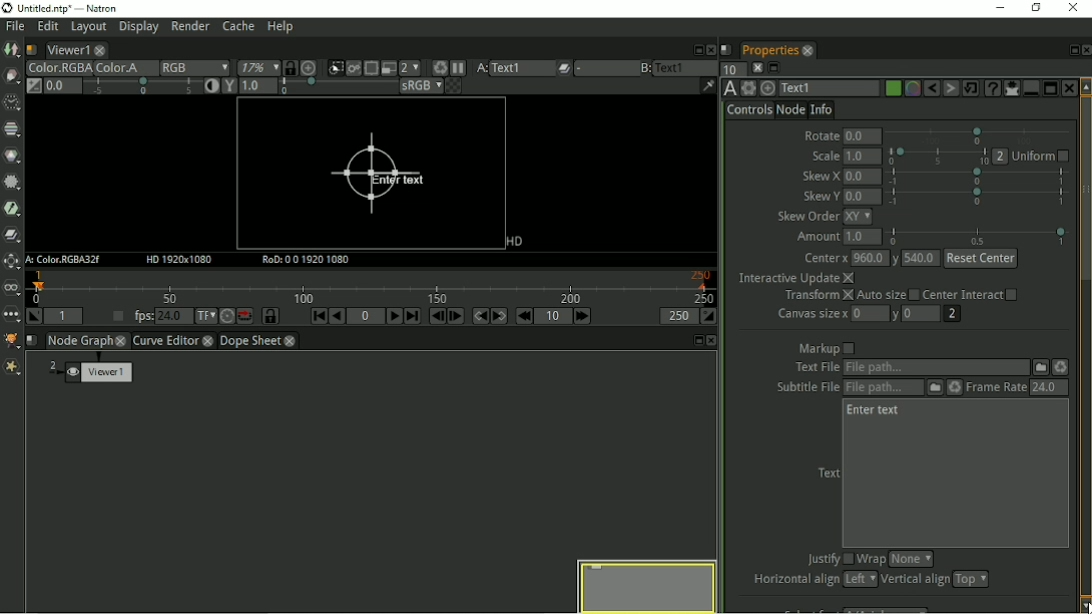 The height and width of the screenshot is (614, 1092). I want to click on File, so click(1039, 367).